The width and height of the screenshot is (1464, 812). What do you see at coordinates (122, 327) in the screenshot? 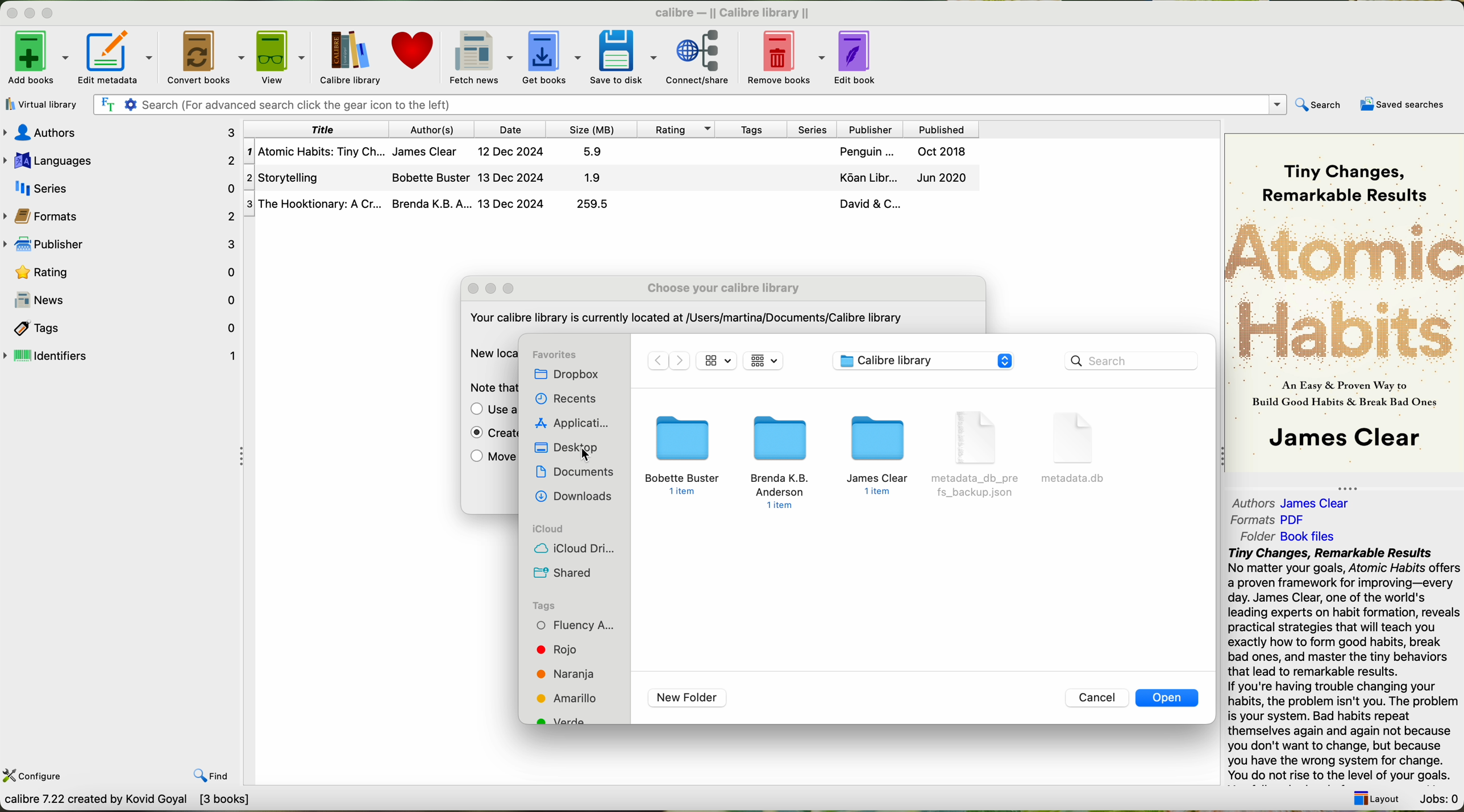
I see `tags` at bounding box center [122, 327].